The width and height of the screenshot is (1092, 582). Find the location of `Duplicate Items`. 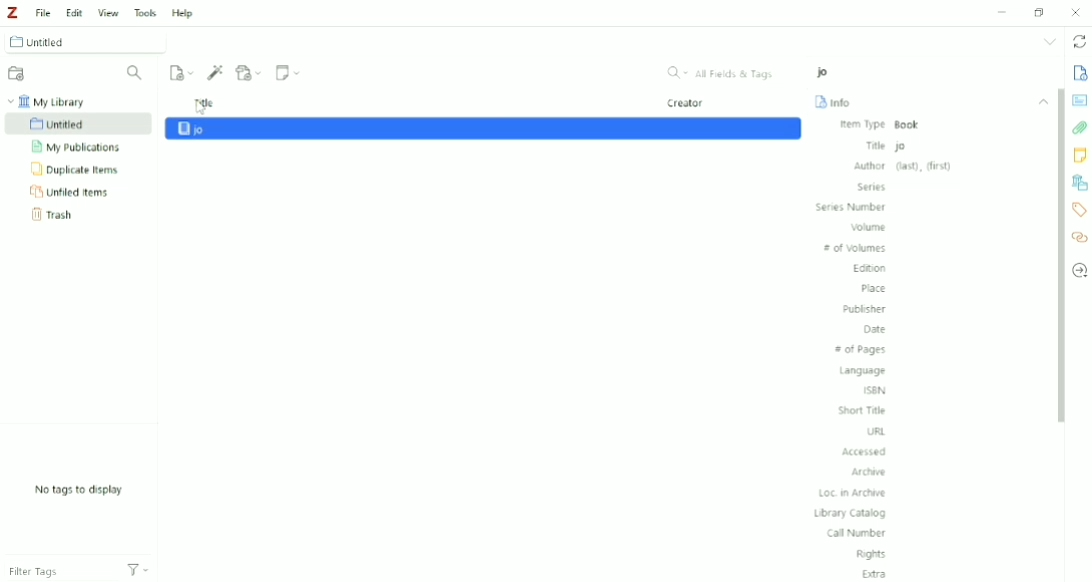

Duplicate Items is located at coordinates (77, 170).